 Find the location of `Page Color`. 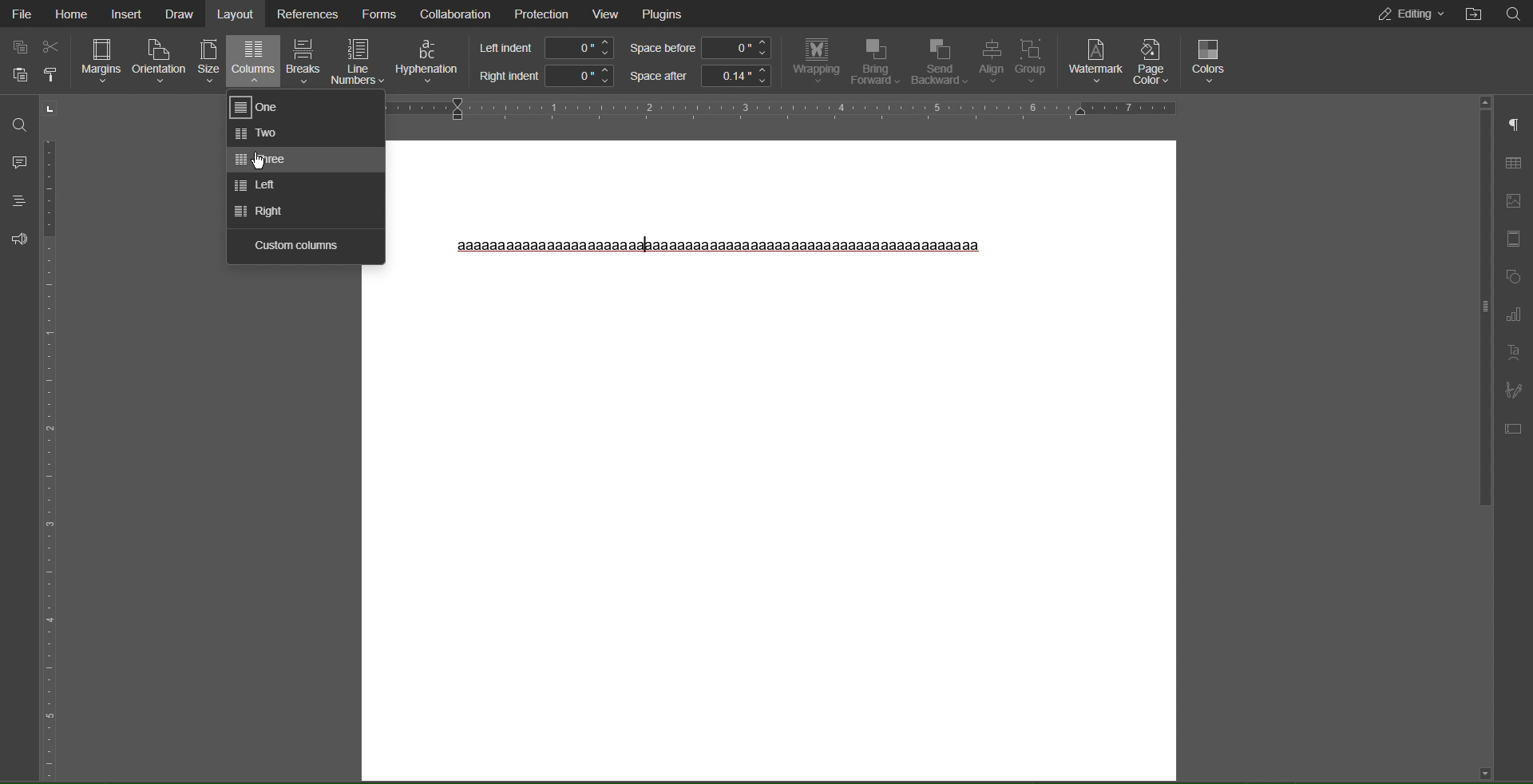

Page Color is located at coordinates (1154, 61).